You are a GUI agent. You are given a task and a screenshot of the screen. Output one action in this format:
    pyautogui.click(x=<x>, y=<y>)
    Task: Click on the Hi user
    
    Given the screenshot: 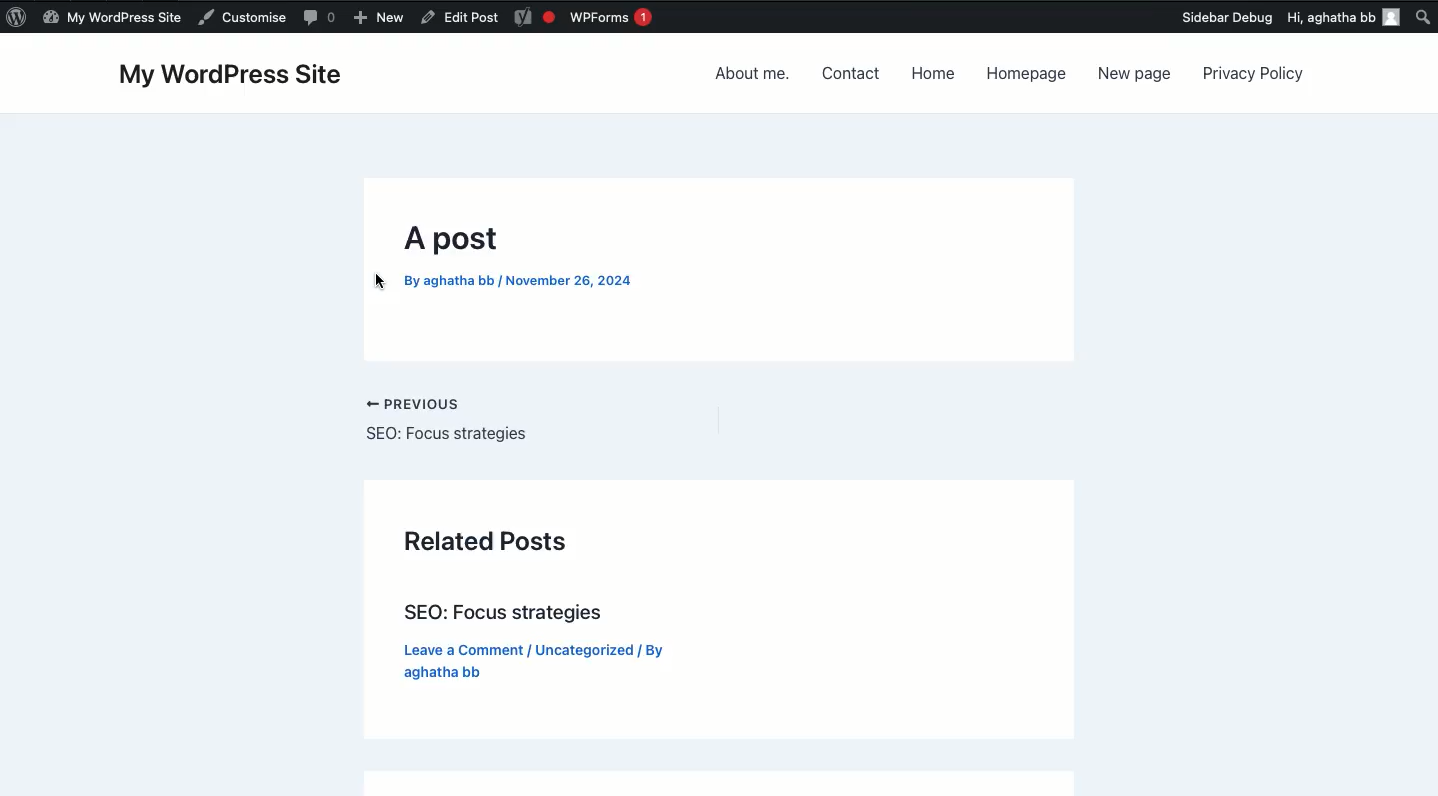 What is the action you would take?
    pyautogui.click(x=1342, y=17)
    